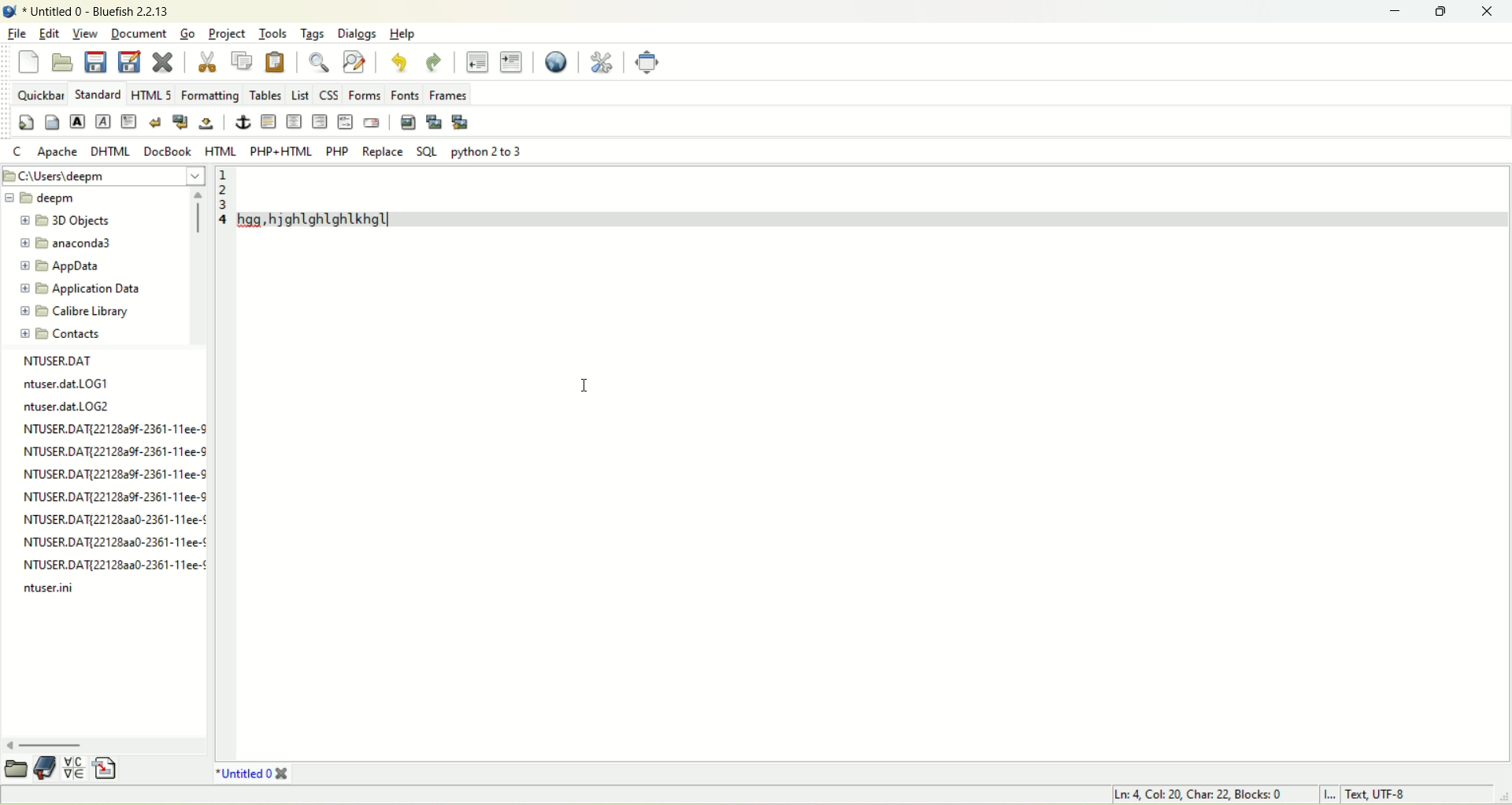 The width and height of the screenshot is (1512, 805). I want to click on preferences, so click(603, 61).